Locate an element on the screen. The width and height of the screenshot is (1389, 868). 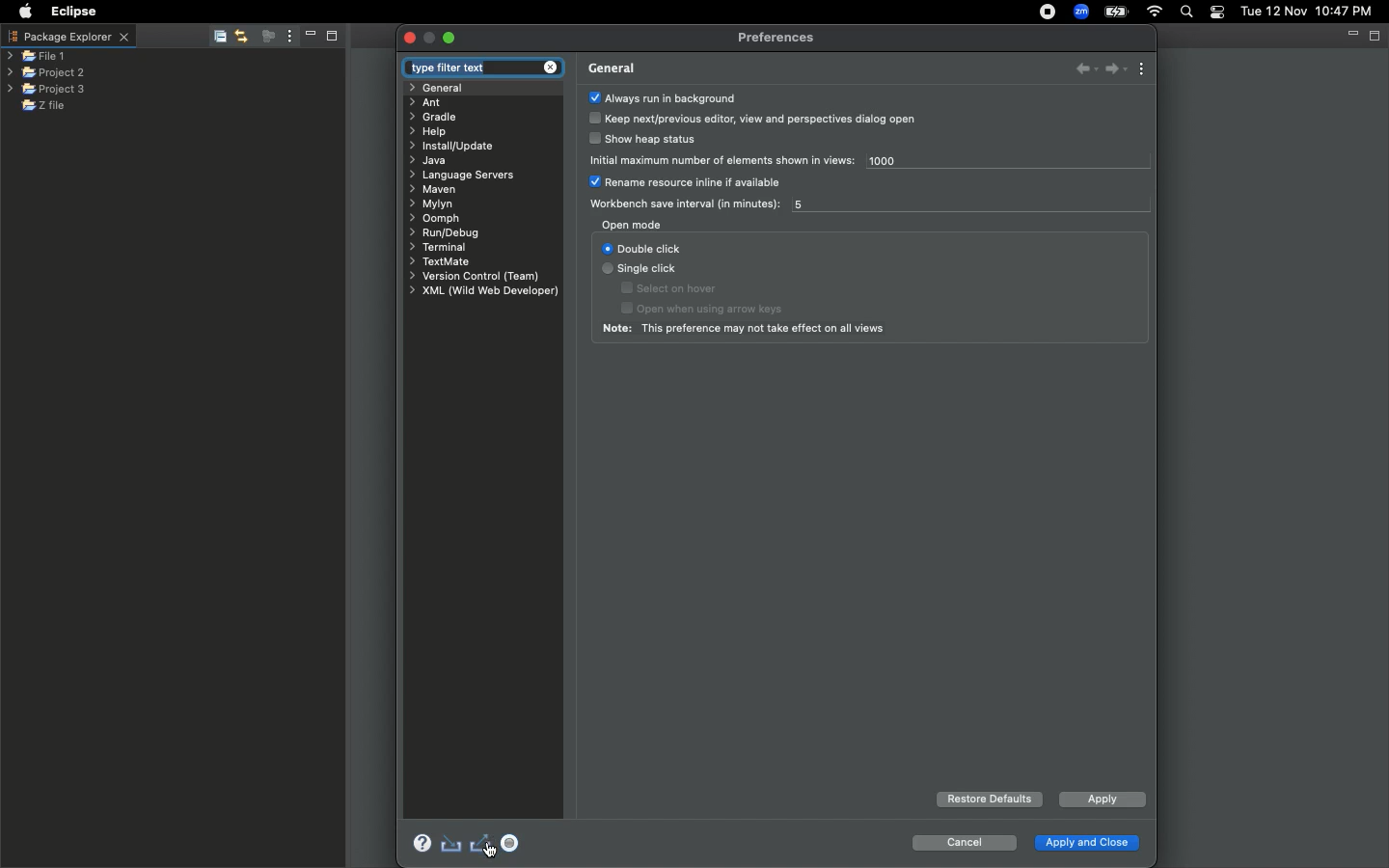
Gradle is located at coordinates (436, 117).